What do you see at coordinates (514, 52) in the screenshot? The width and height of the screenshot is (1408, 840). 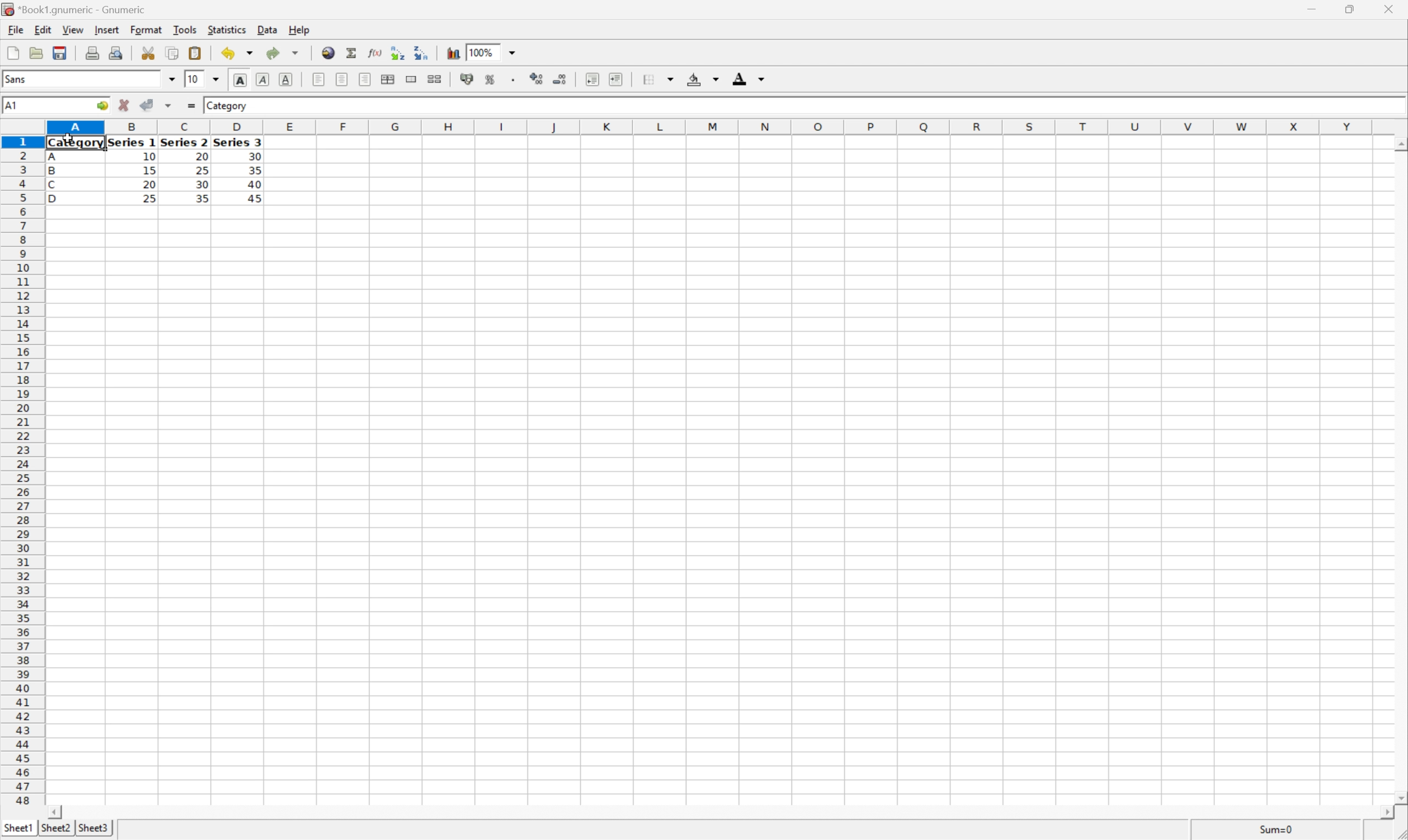 I see `Drop Down` at bounding box center [514, 52].